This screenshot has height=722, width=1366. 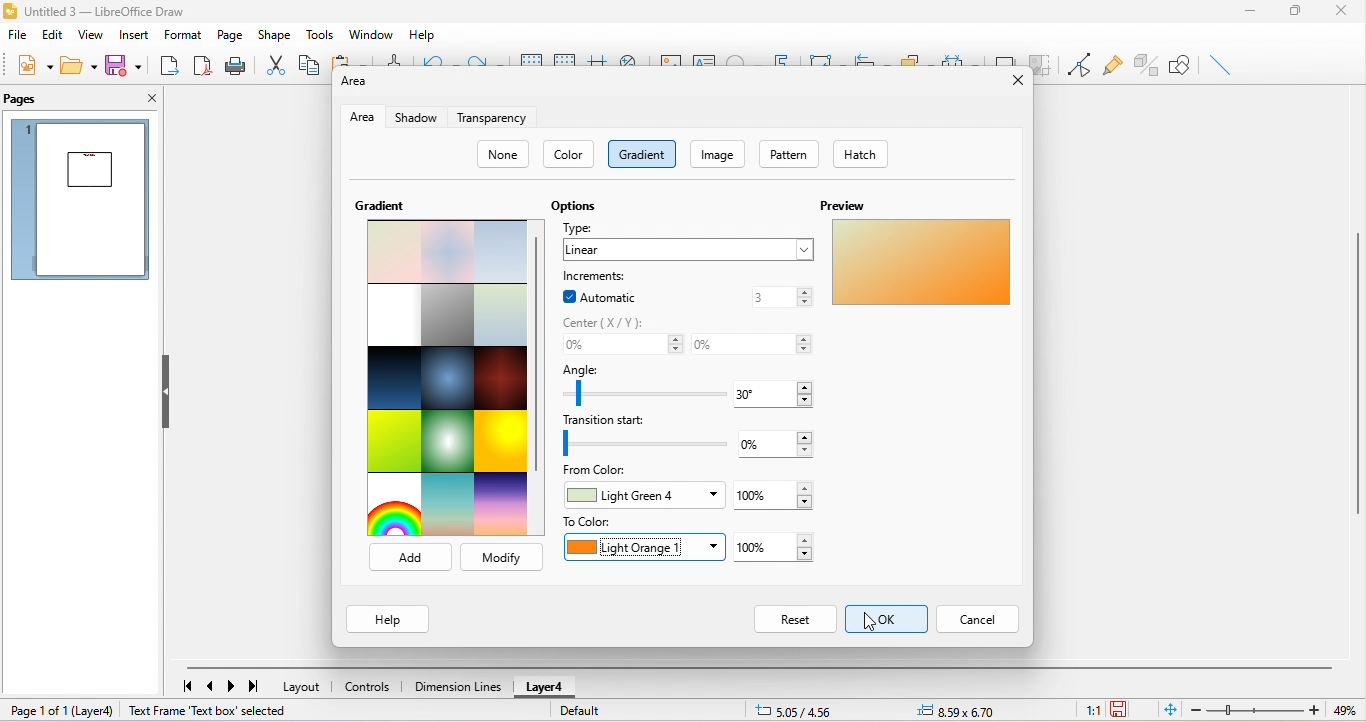 I want to click on set center x/y- 0%, so click(x=622, y=345).